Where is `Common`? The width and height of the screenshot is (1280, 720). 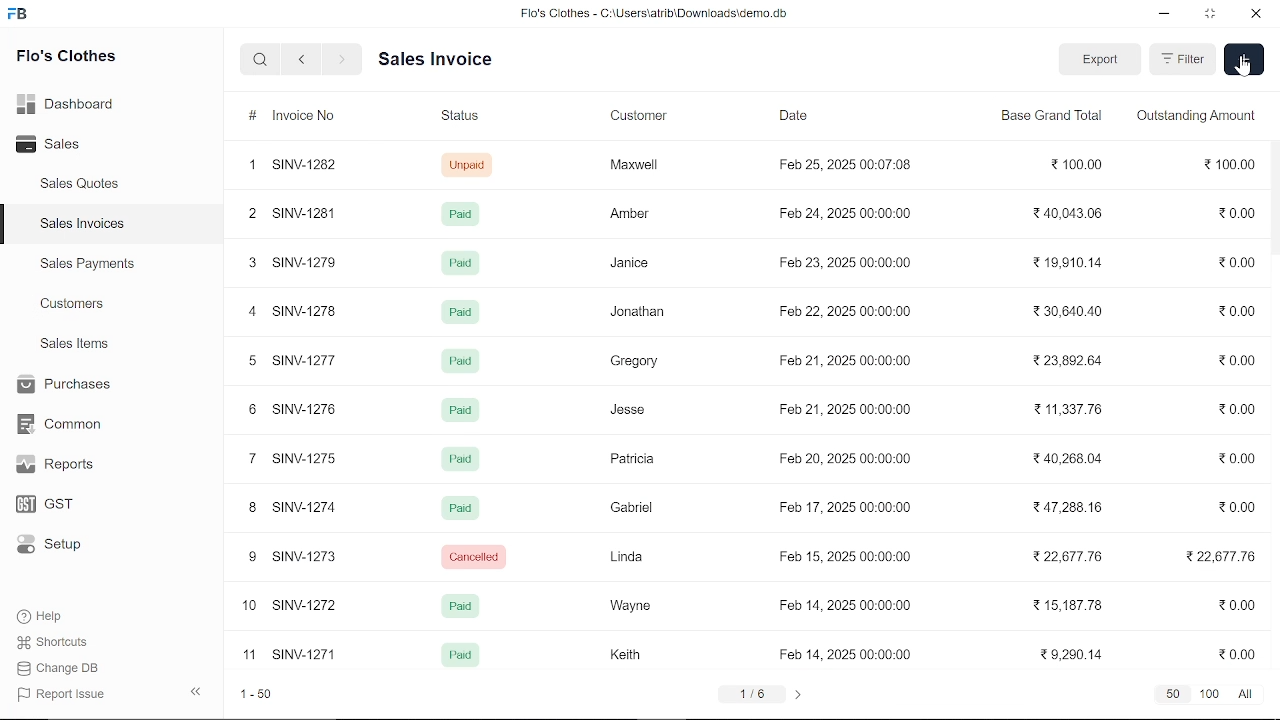
Common is located at coordinates (62, 424).